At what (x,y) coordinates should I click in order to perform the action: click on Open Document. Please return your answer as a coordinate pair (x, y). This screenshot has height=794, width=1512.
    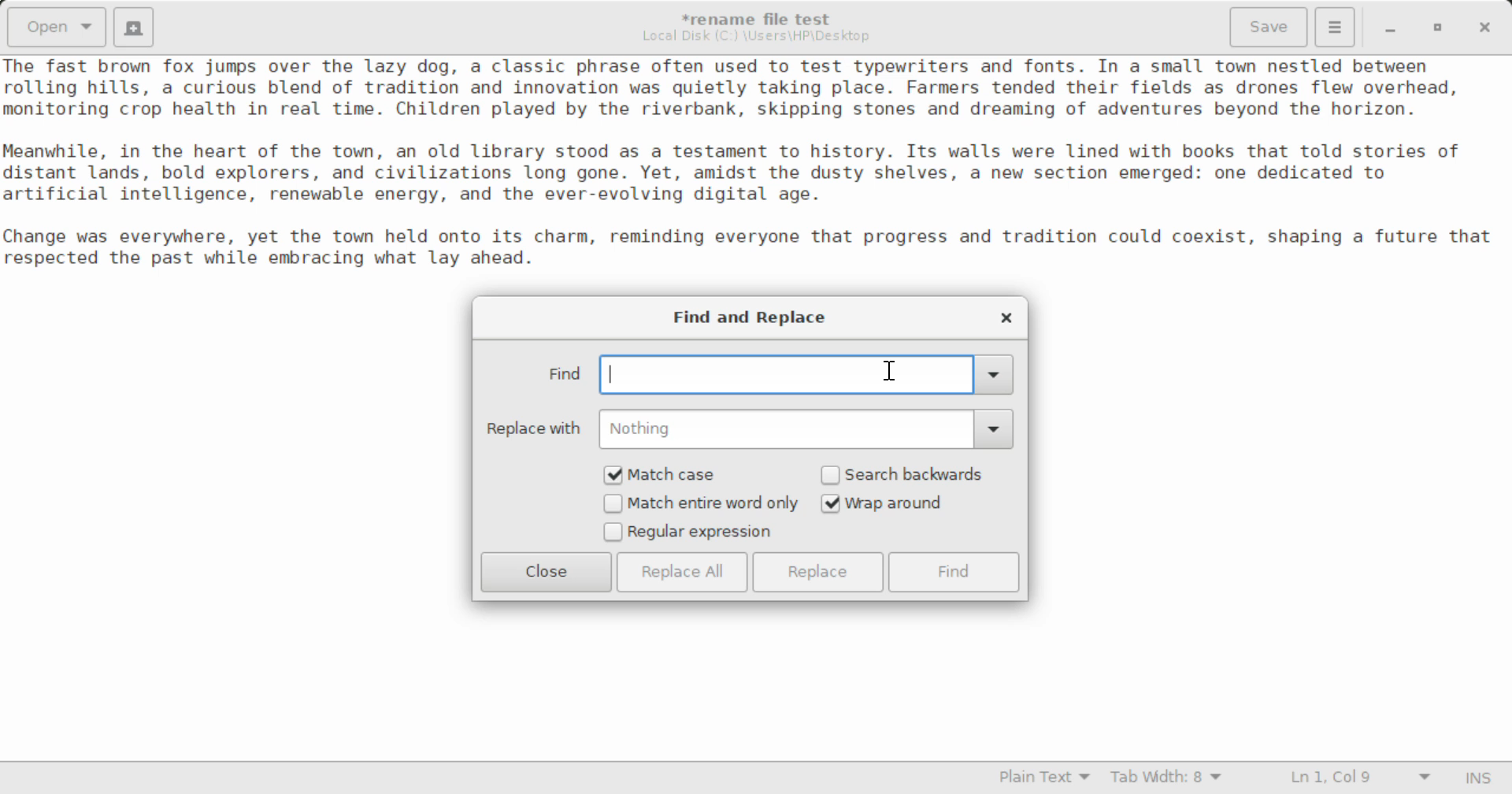
    Looking at the image, I should click on (54, 27).